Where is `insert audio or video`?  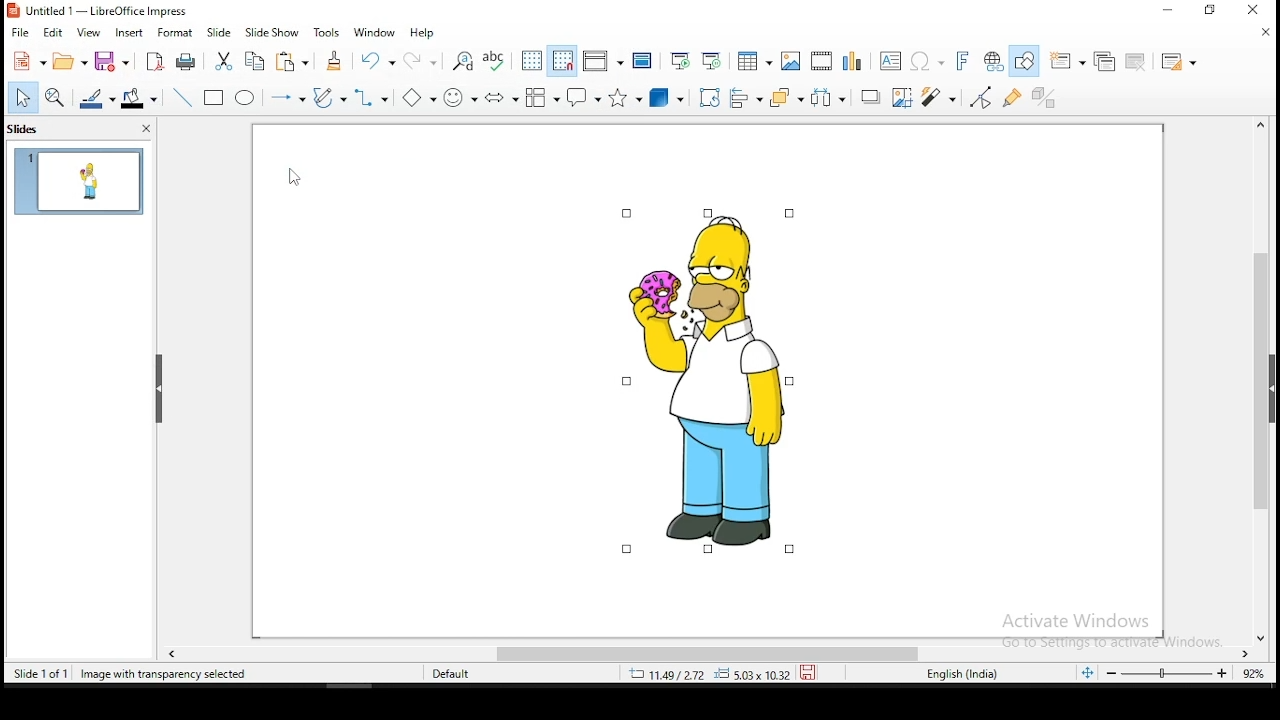
insert audio or video is located at coordinates (821, 57).